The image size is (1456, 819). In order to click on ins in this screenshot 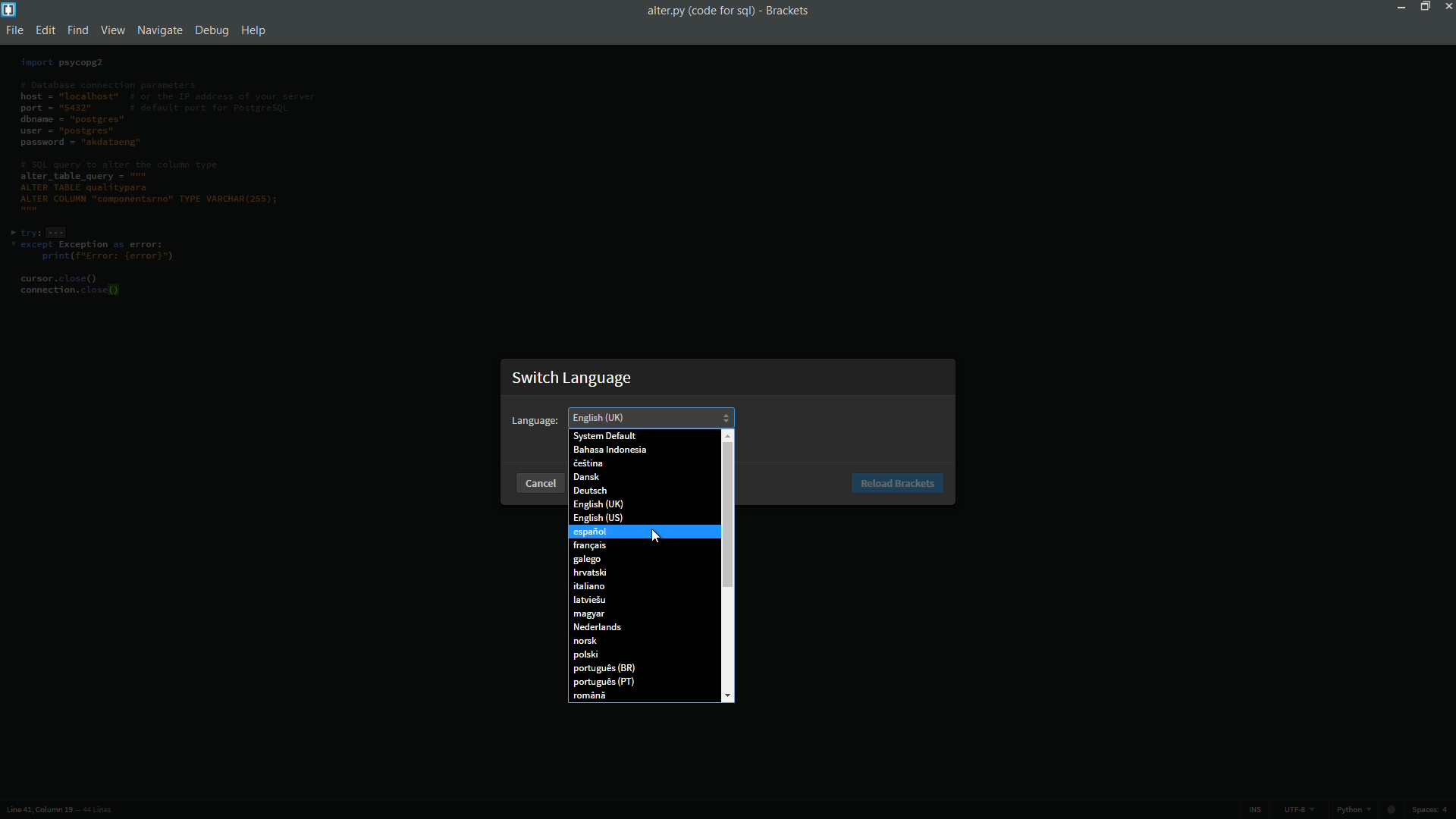, I will do `click(1255, 811)`.